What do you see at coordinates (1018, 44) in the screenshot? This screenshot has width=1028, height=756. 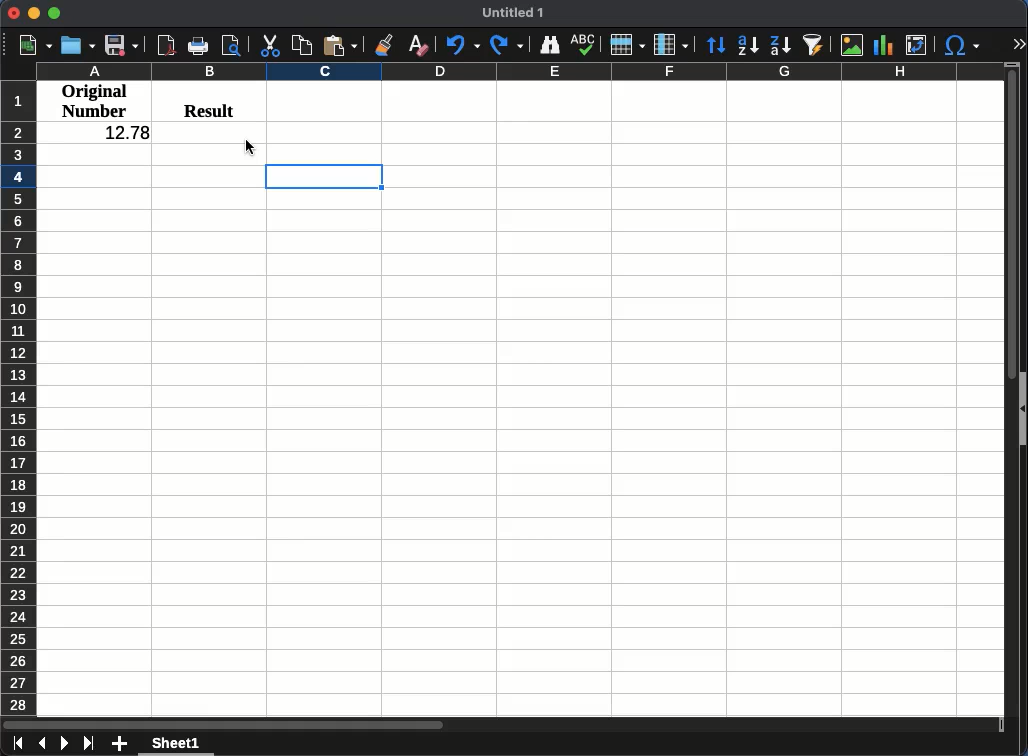 I see `expand` at bounding box center [1018, 44].